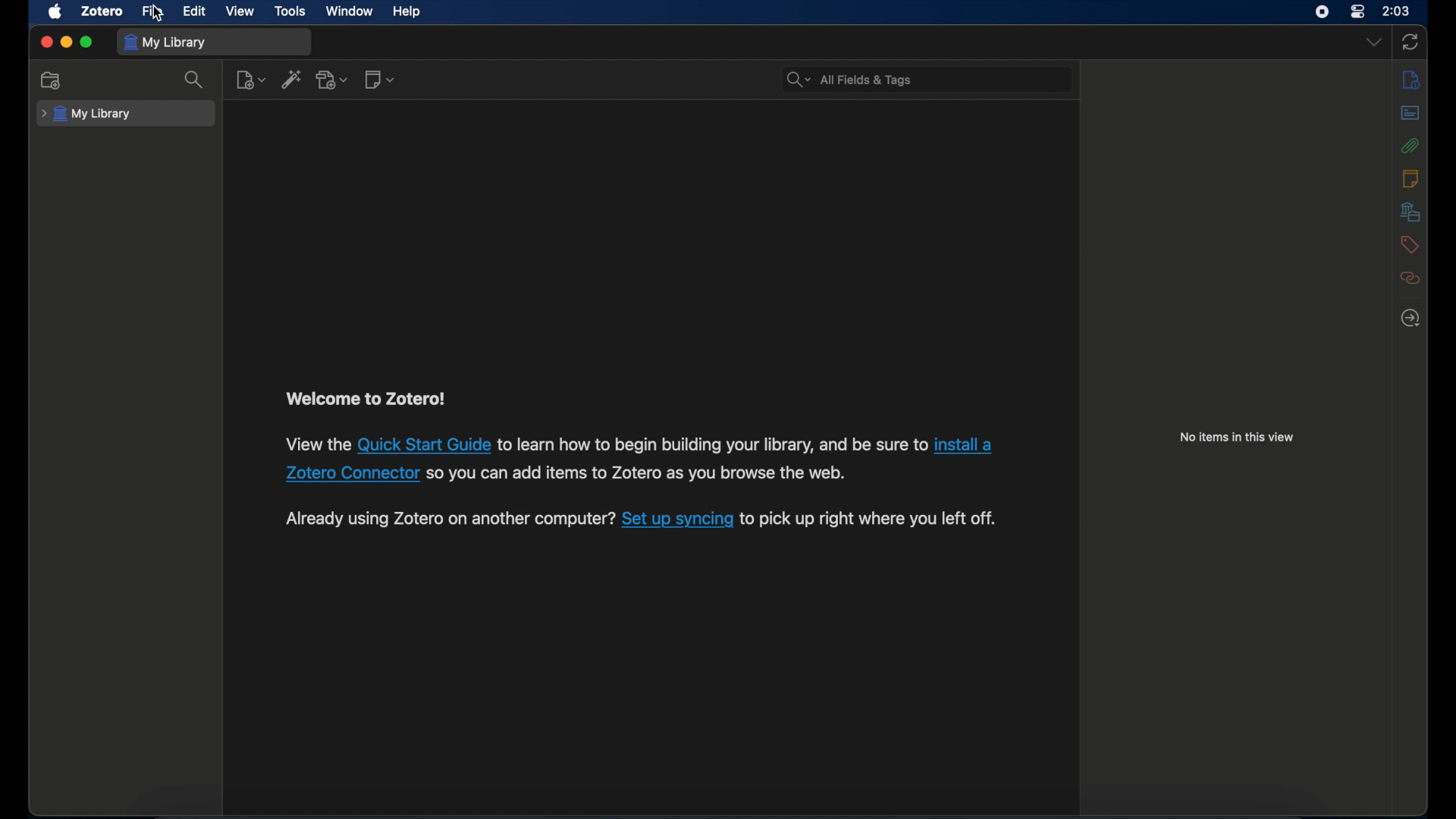  I want to click on notes, so click(1410, 178).